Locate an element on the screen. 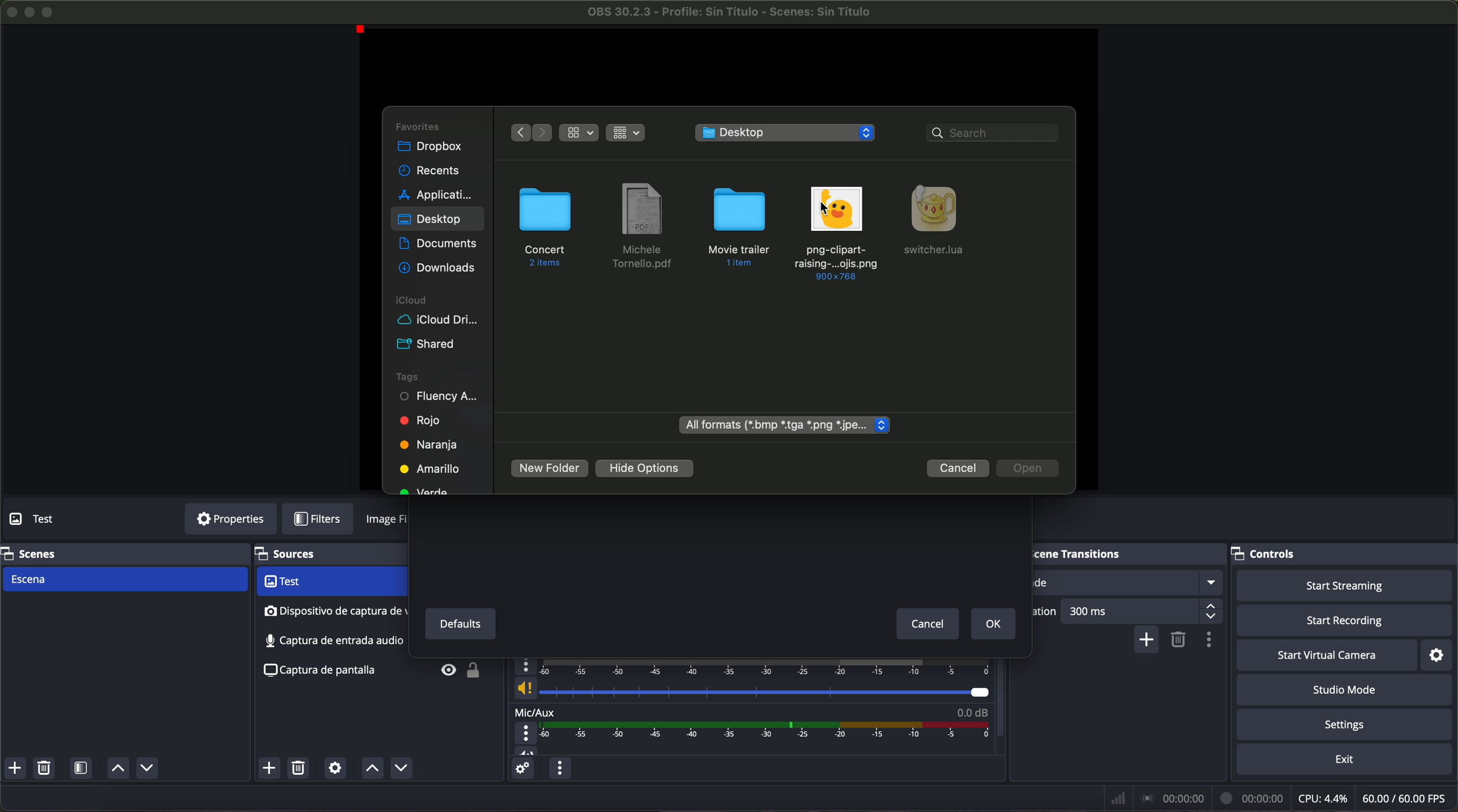 The width and height of the screenshot is (1458, 812). sources is located at coordinates (300, 555).